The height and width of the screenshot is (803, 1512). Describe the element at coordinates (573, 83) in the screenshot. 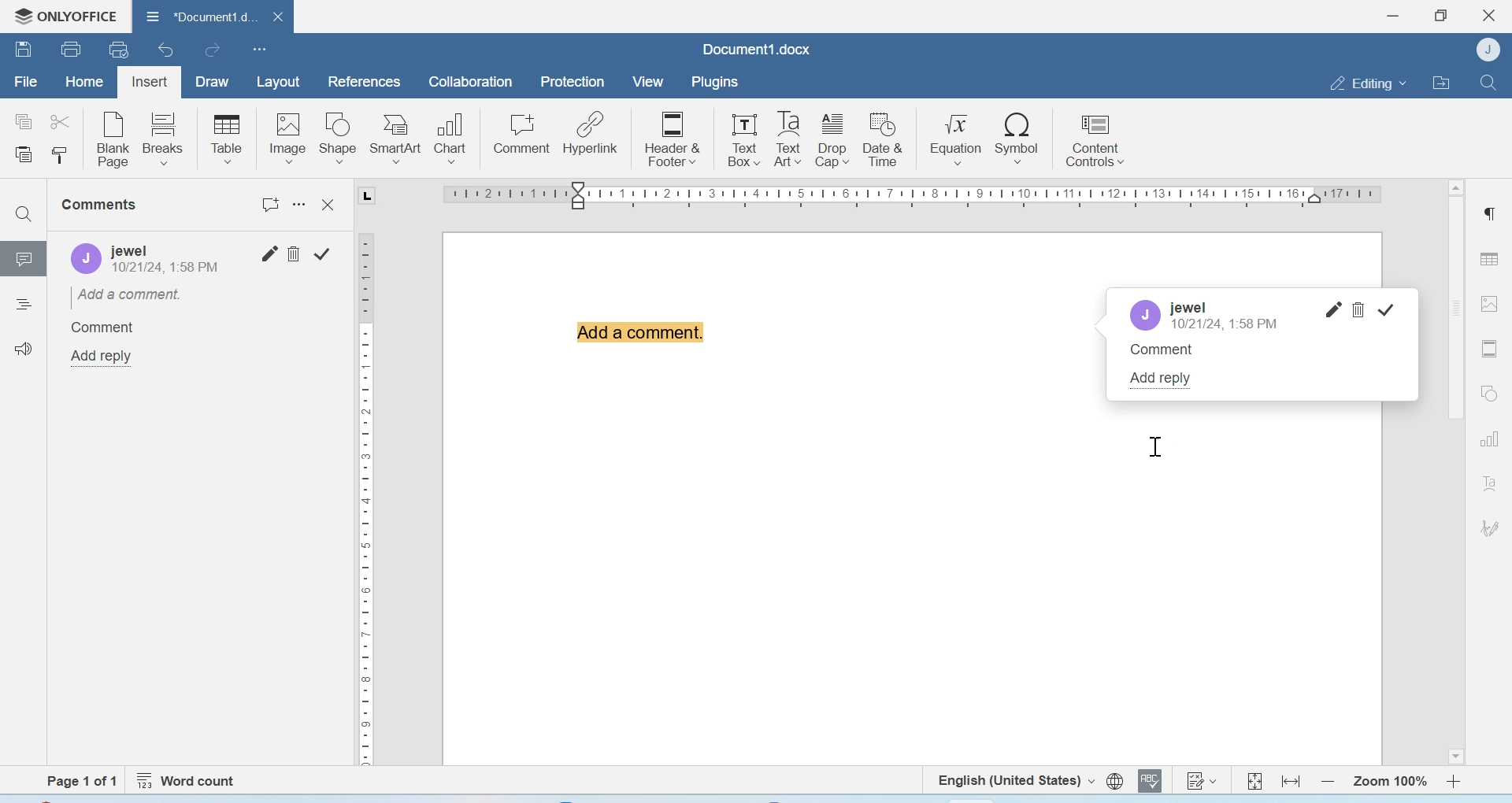

I see `Protection` at that location.